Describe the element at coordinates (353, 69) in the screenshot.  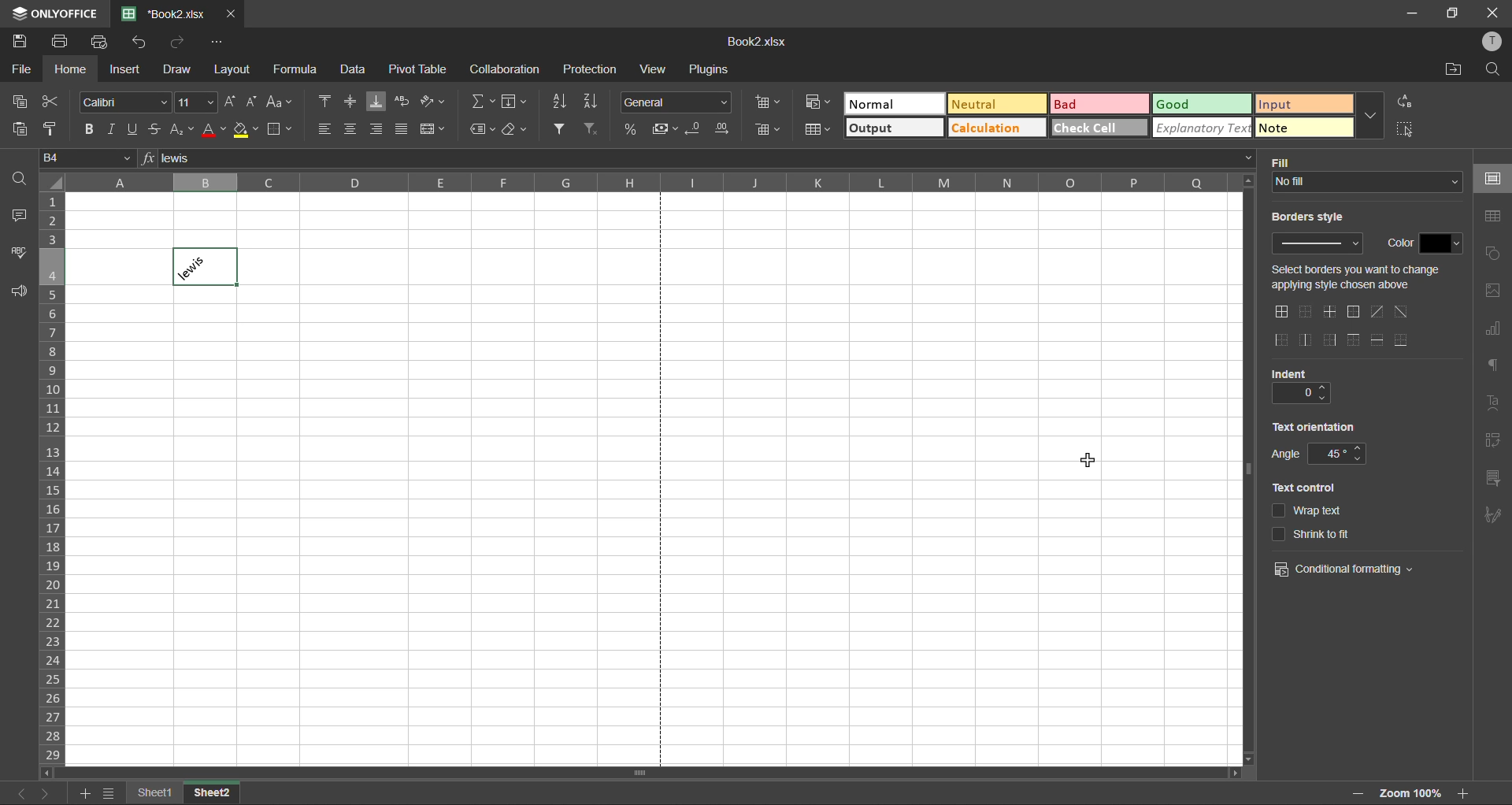
I see `data` at that location.